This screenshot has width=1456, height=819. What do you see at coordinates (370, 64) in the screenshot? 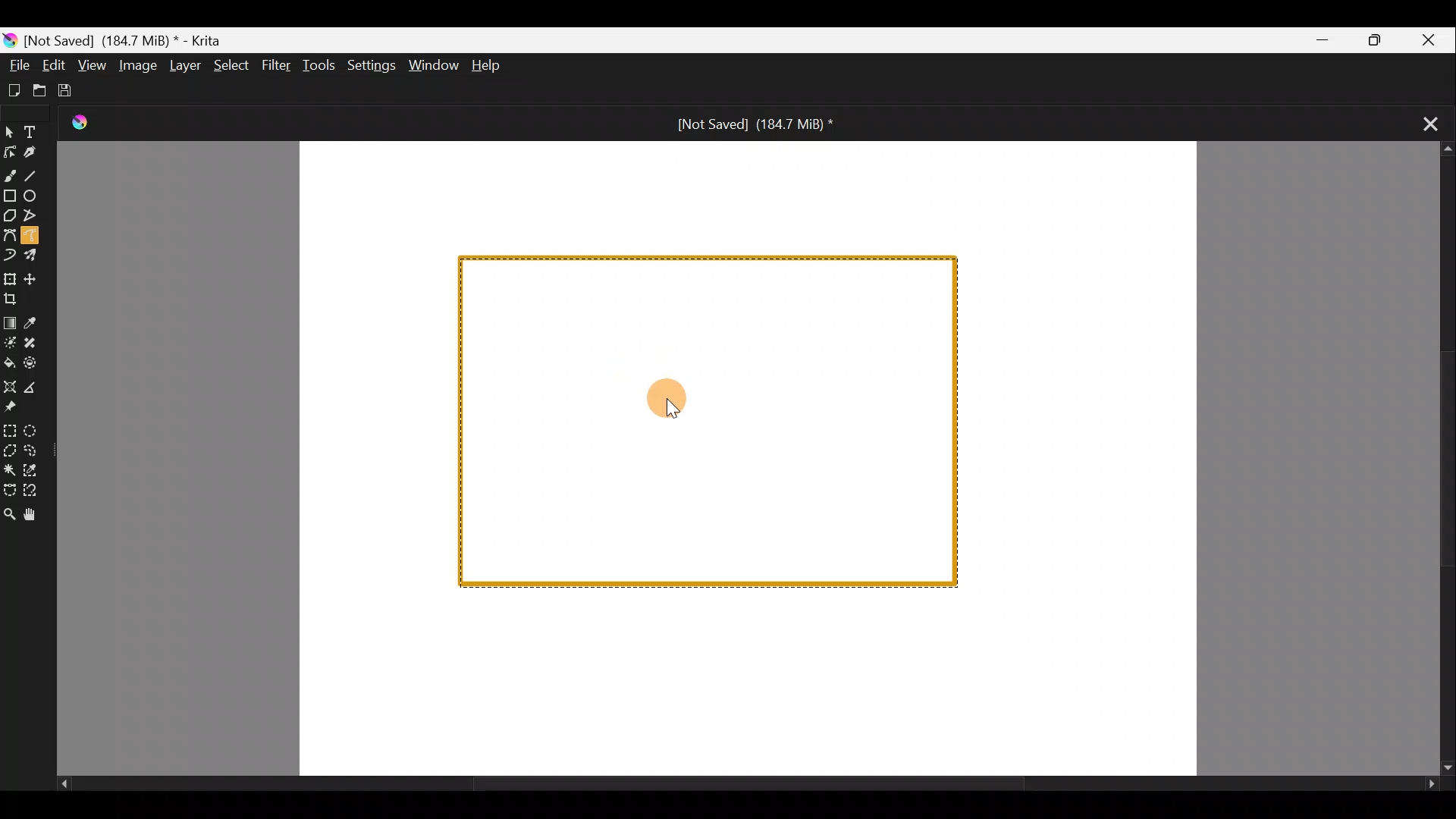
I see `Settings` at bounding box center [370, 64].